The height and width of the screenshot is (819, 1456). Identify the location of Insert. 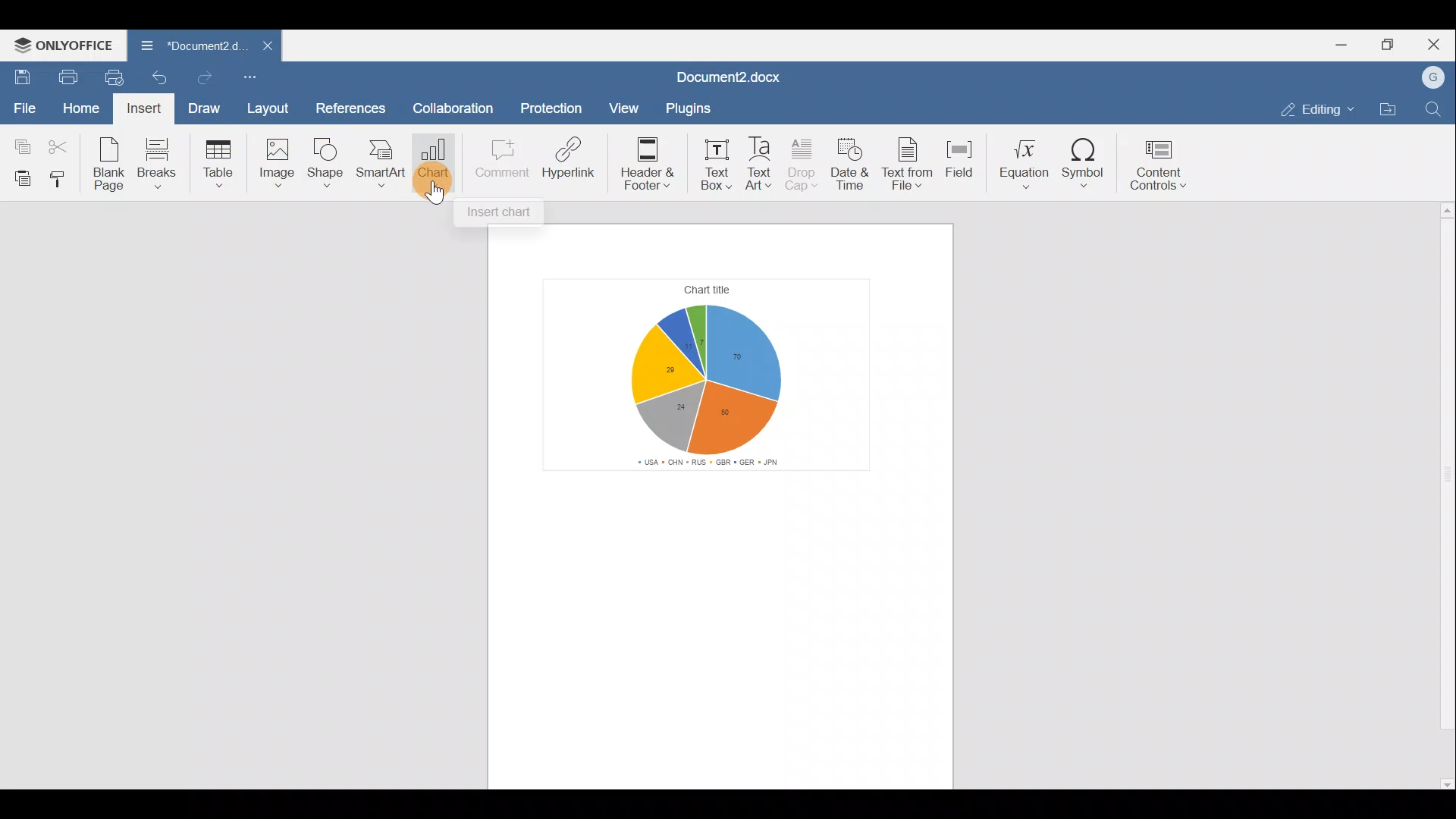
(143, 111).